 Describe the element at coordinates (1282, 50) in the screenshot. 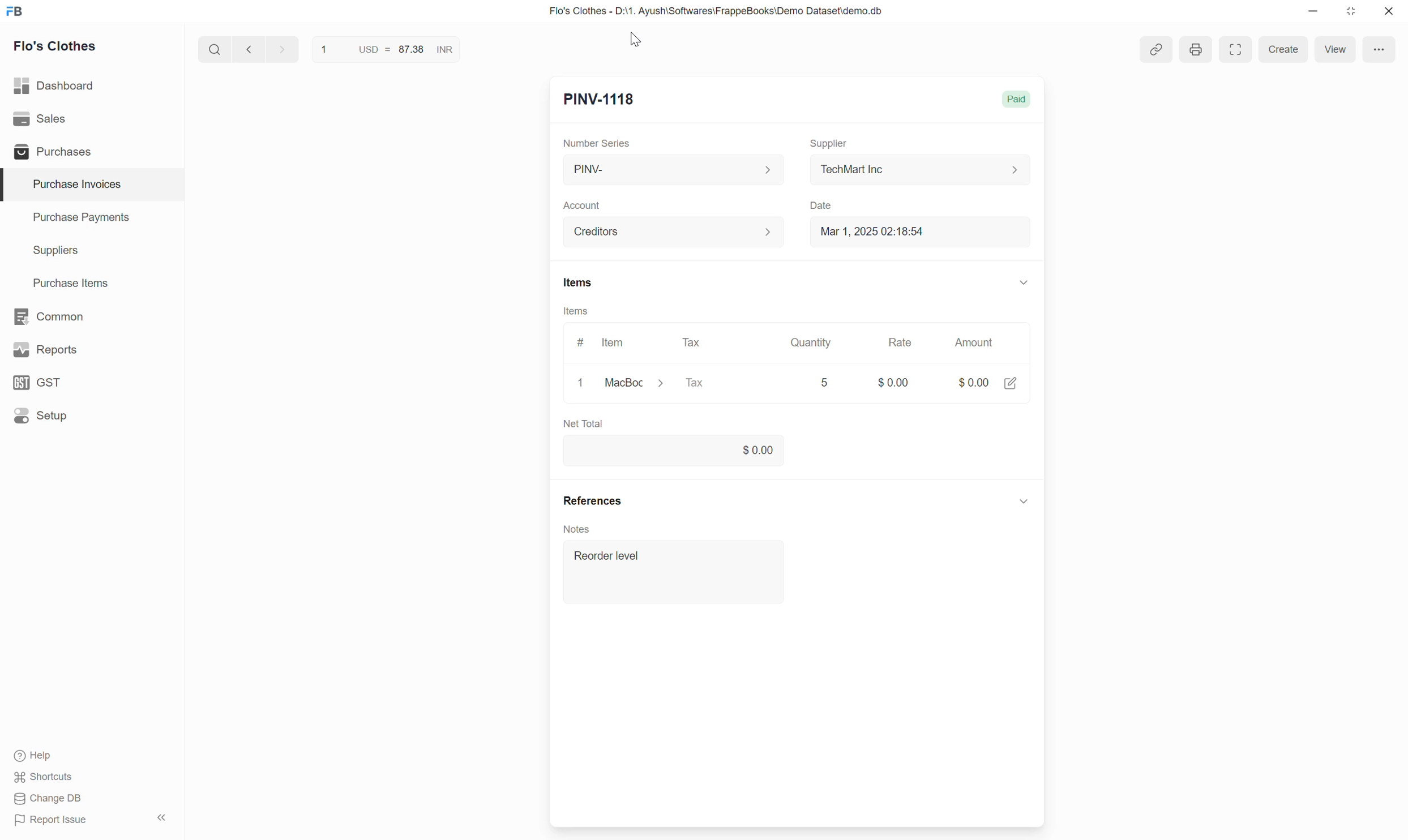

I see `create` at that location.